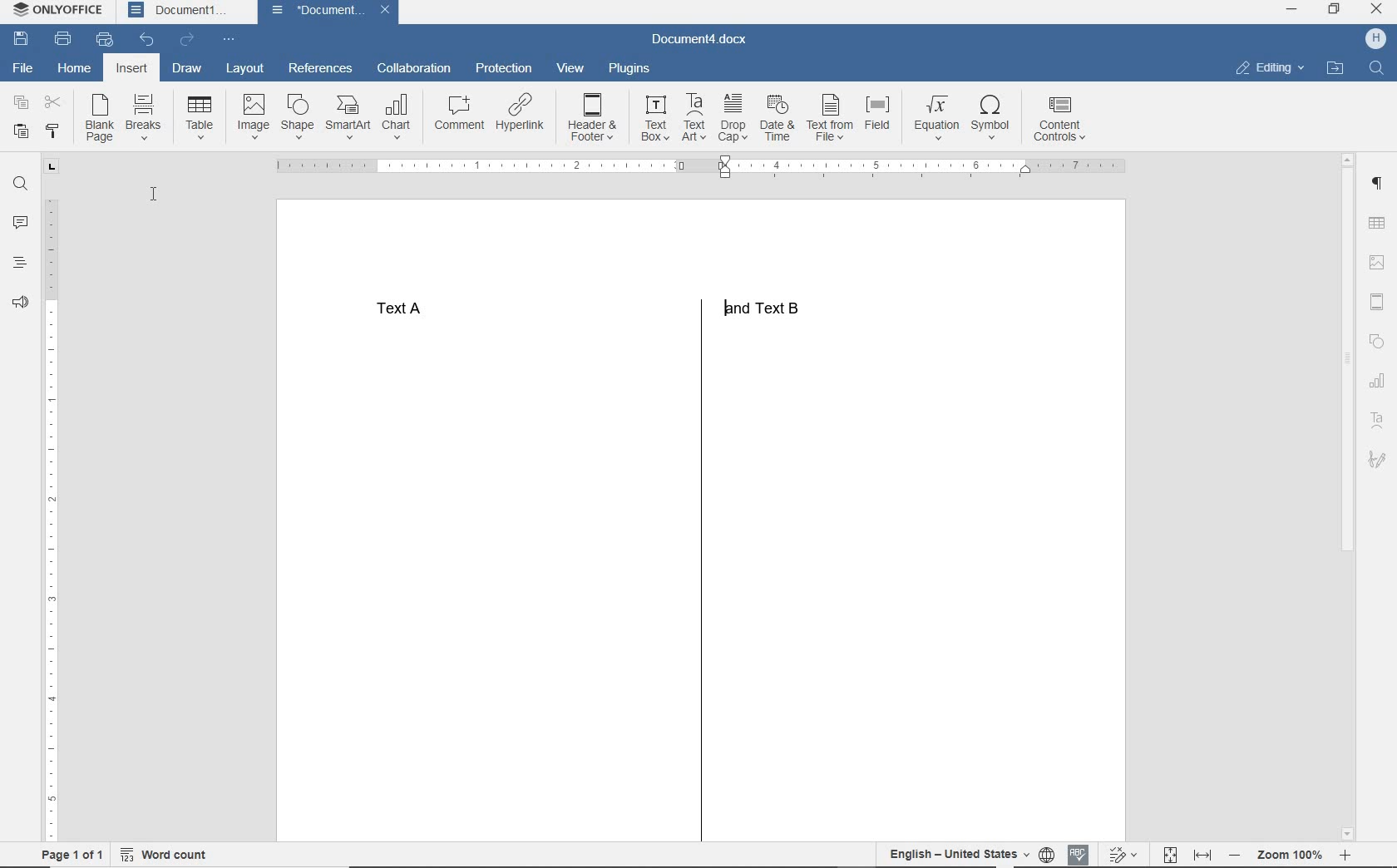 The width and height of the screenshot is (1397, 868). I want to click on CHART, so click(1377, 380).